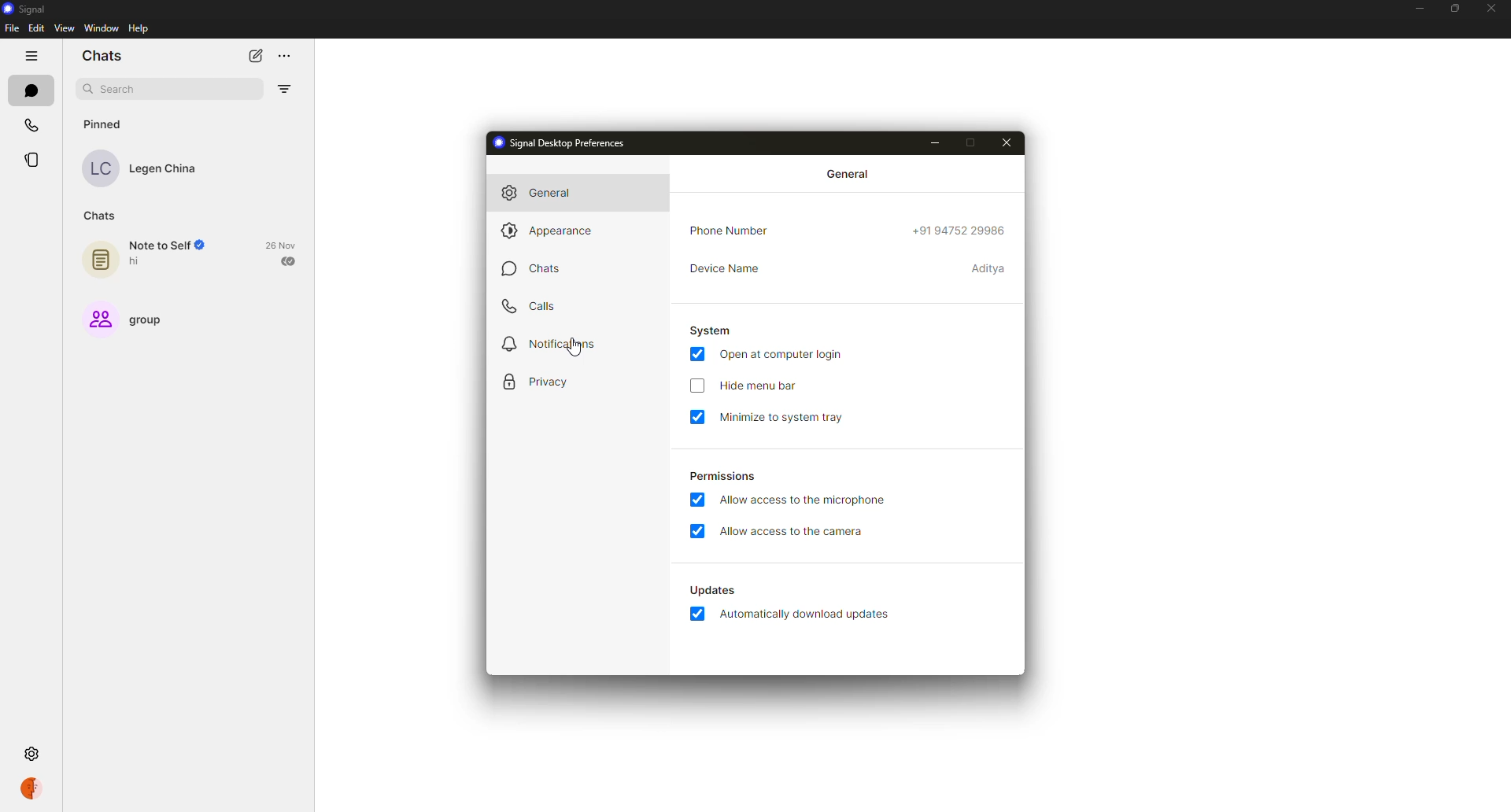  I want to click on allow access to microphone, so click(804, 500).